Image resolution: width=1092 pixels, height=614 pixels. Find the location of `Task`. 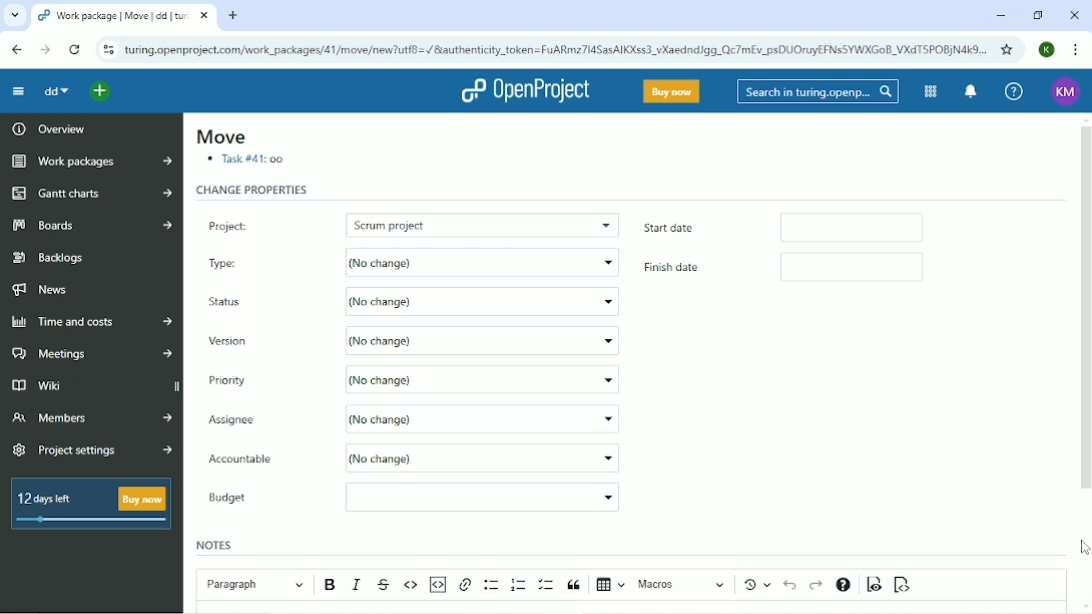

Task is located at coordinates (248, 161).